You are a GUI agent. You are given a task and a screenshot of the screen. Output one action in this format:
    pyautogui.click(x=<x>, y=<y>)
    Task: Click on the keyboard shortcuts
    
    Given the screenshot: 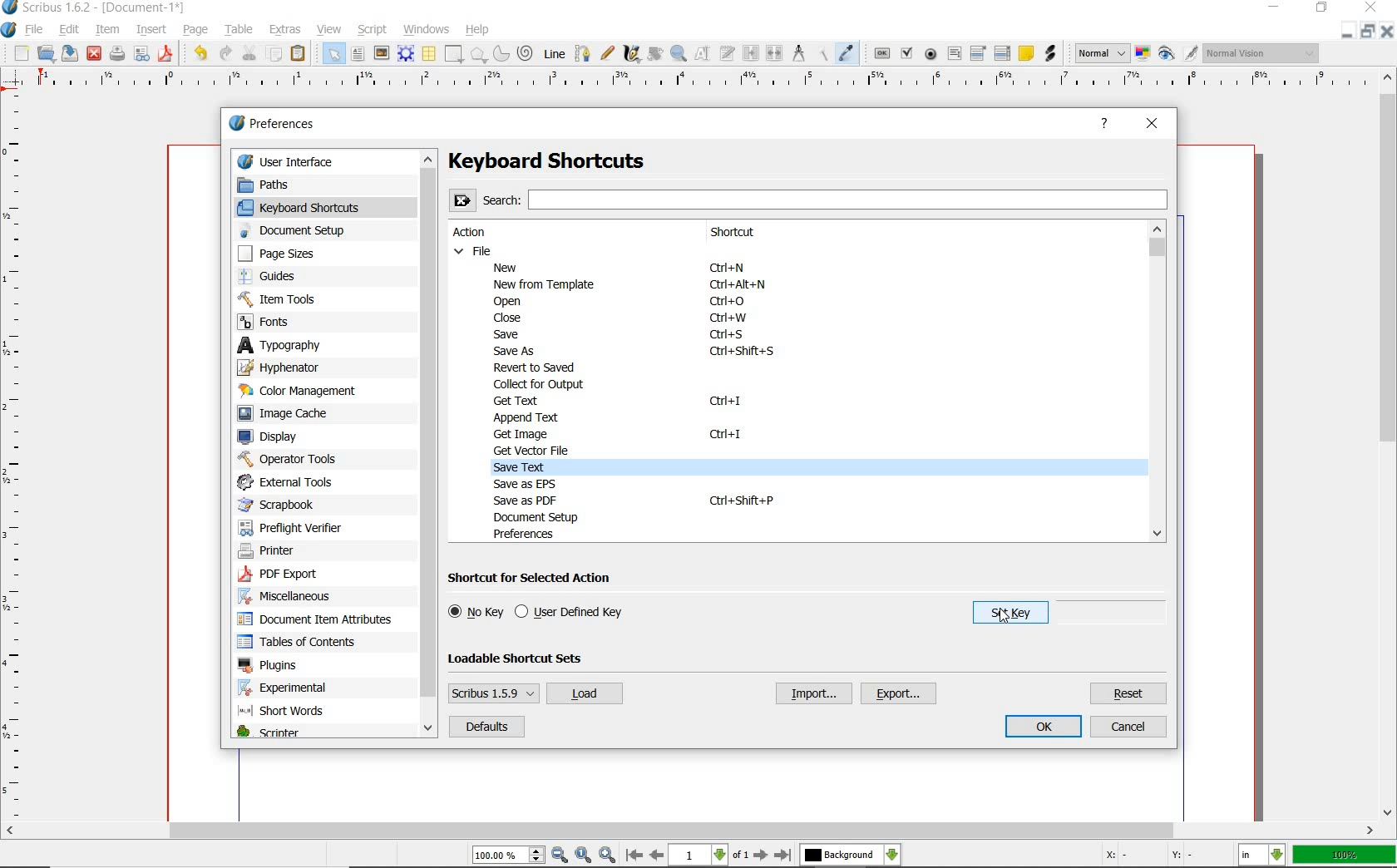 What is the action you would take?
    pyautogui.click(x=312, y=207)
    